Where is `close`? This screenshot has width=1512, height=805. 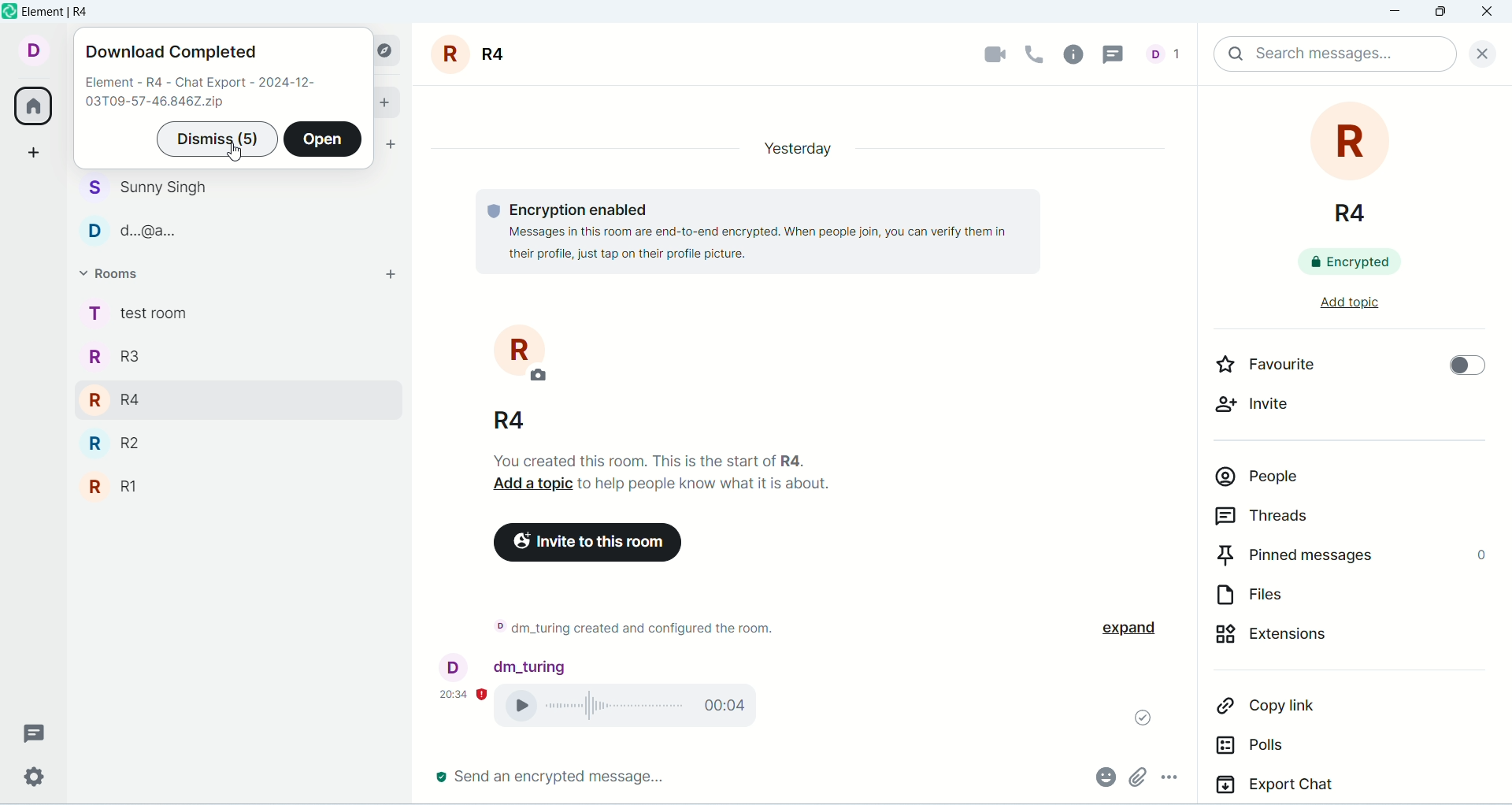 close is located at coordinates (1489, 13).